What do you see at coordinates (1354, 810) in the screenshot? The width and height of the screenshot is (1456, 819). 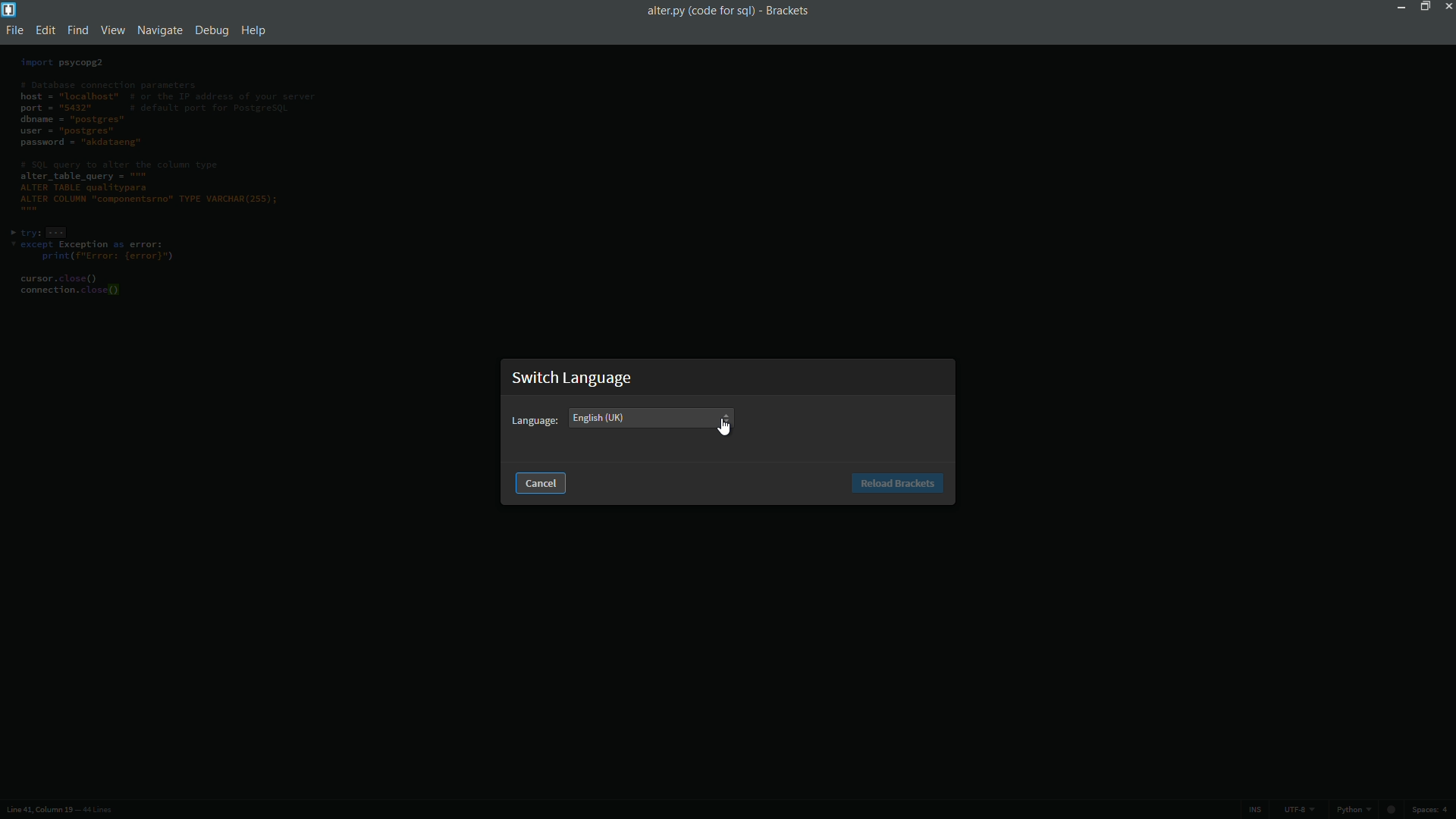 I see `python` at bounding box center [1354, 810].